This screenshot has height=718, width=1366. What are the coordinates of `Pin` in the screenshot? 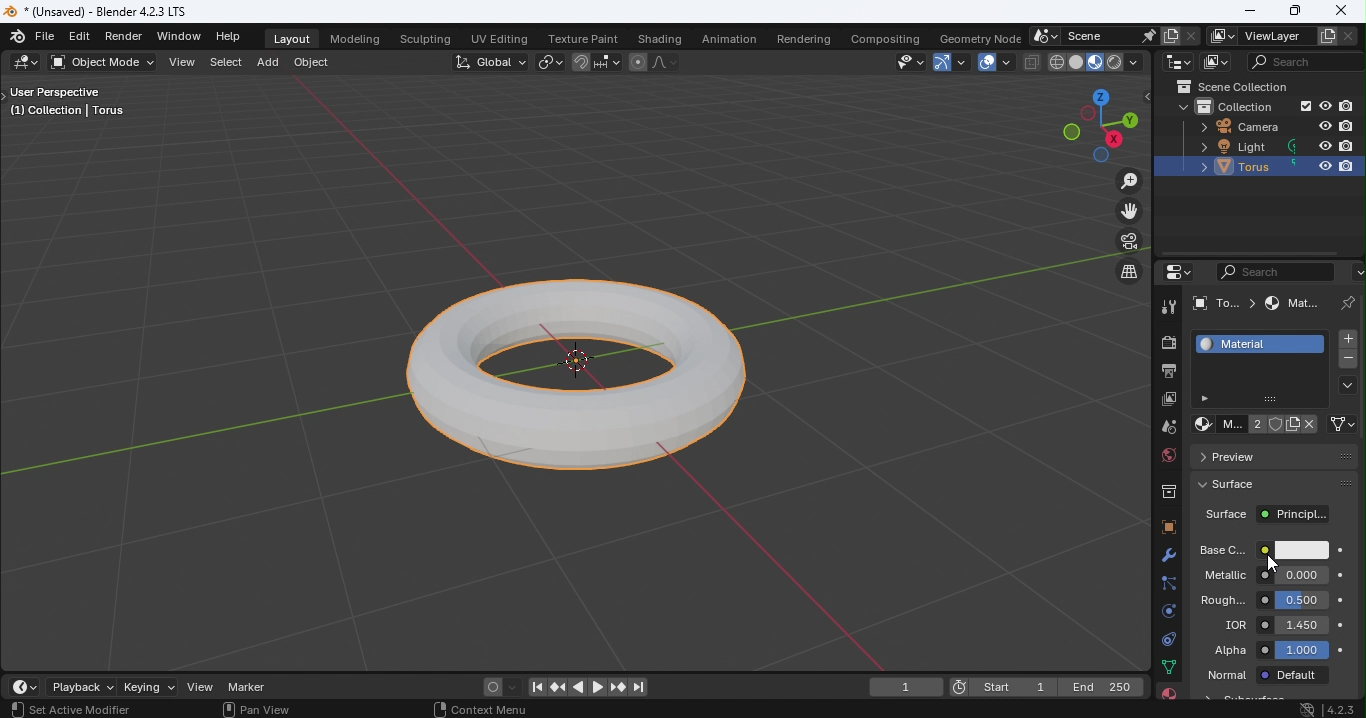 It's located at (1350, 303).